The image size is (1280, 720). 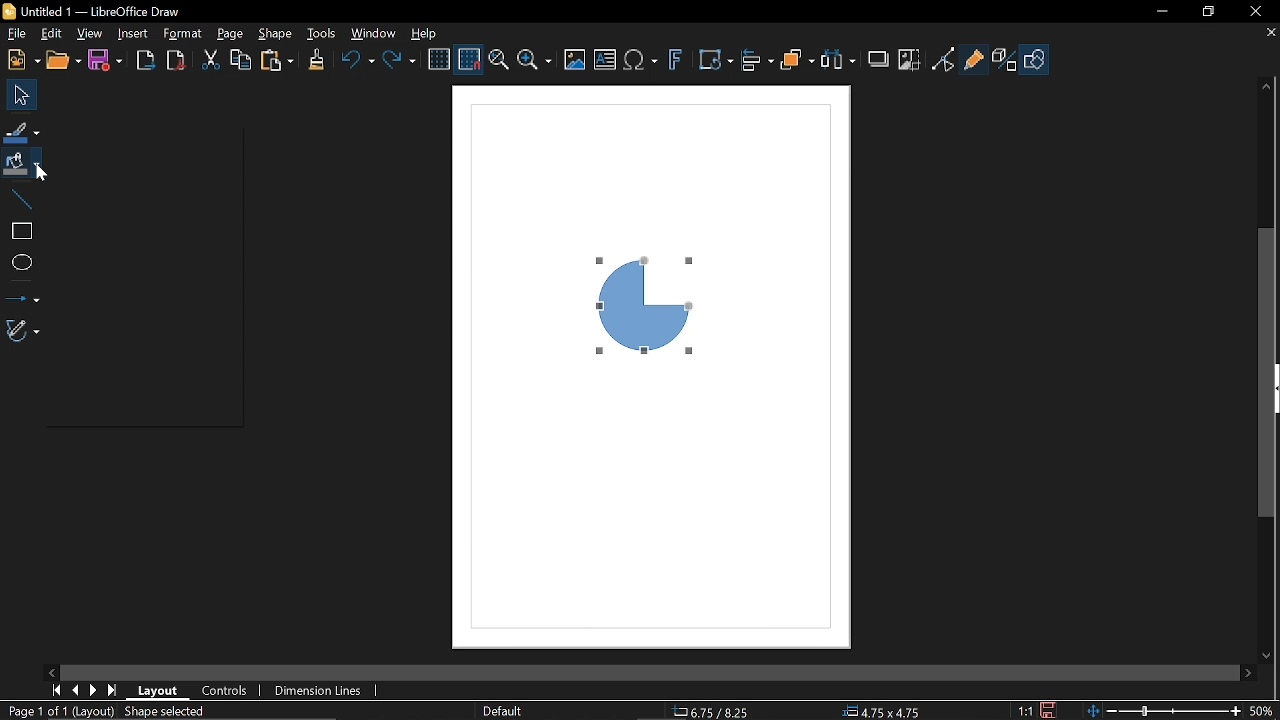 What do you see at coordinates (1264, 656) in the screenshot?
I see `Move down` at bounding box center [1264, 656].